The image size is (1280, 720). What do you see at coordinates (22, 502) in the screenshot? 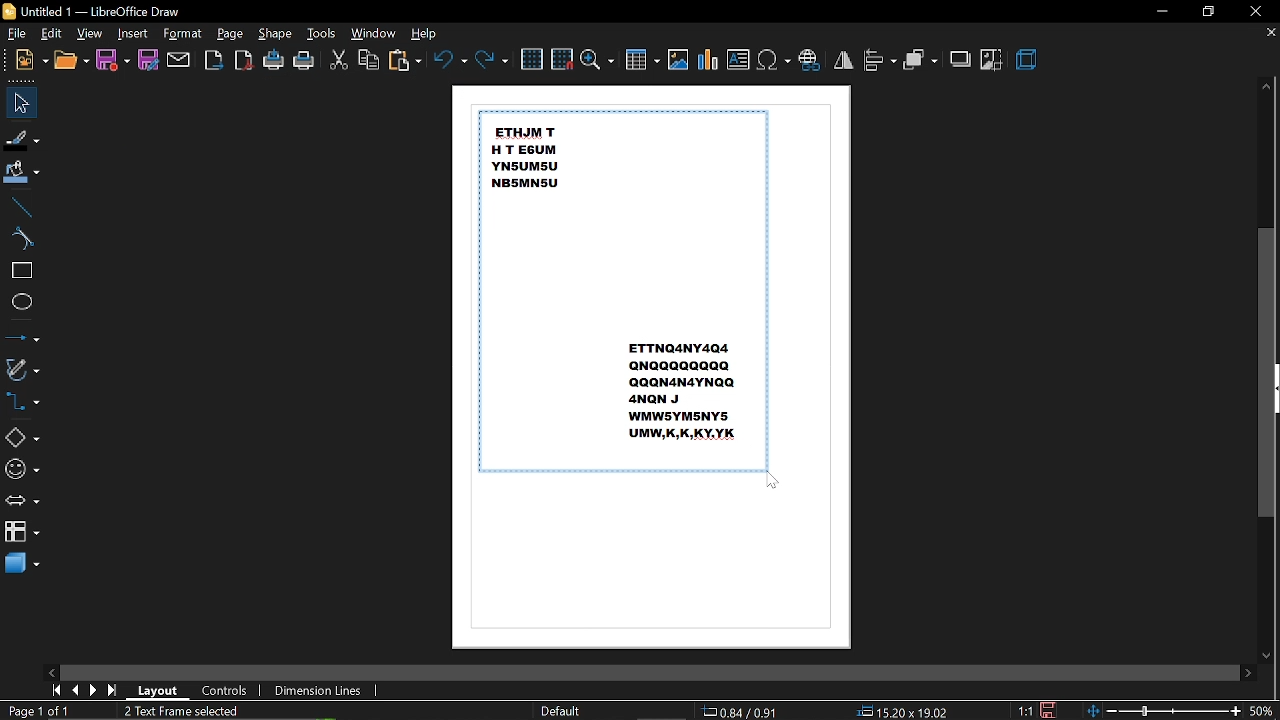
I see `arrows` at bounding box center [22, 502].